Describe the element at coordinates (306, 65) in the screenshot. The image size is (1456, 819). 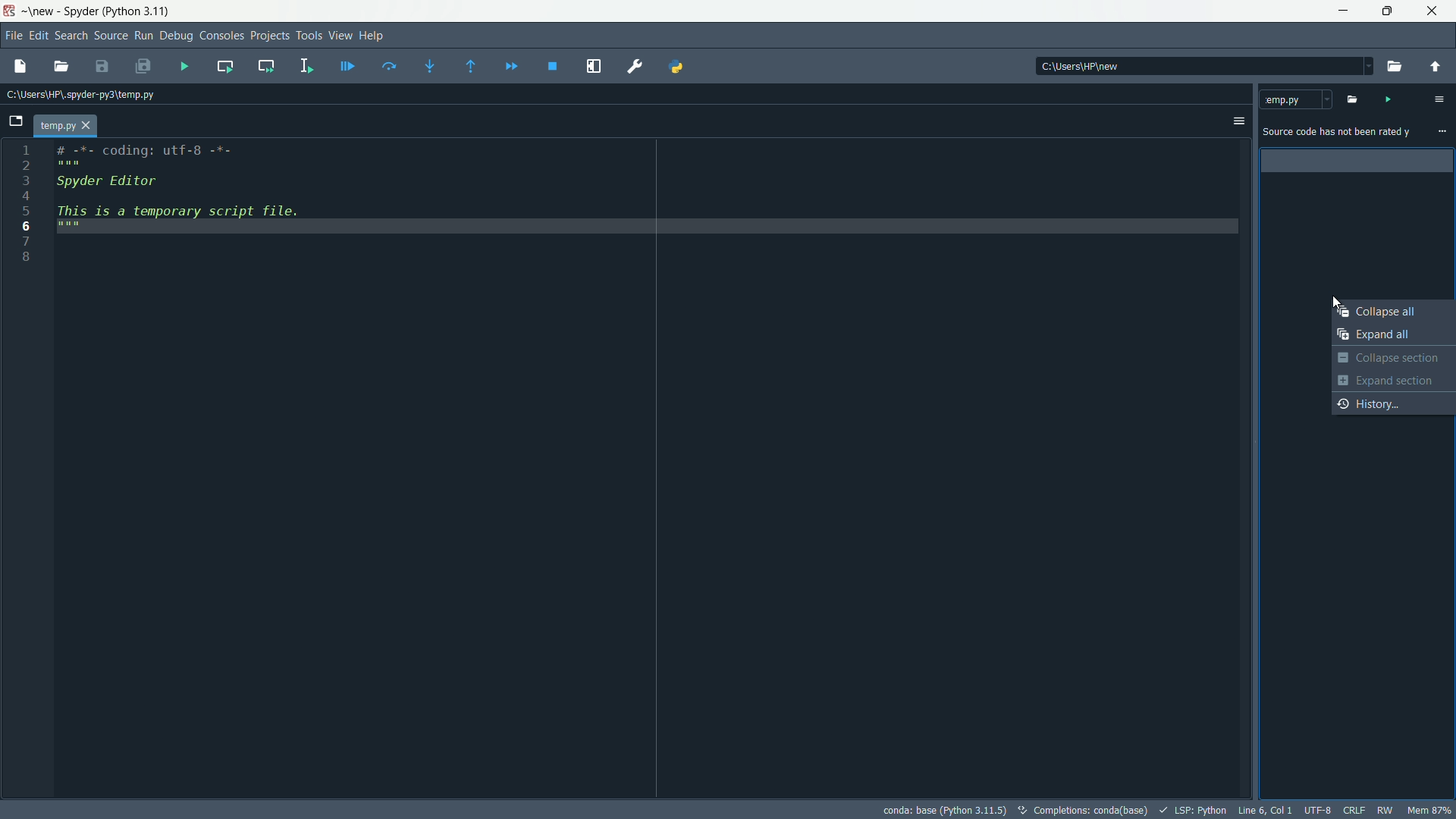
I see `run selection` at that location.